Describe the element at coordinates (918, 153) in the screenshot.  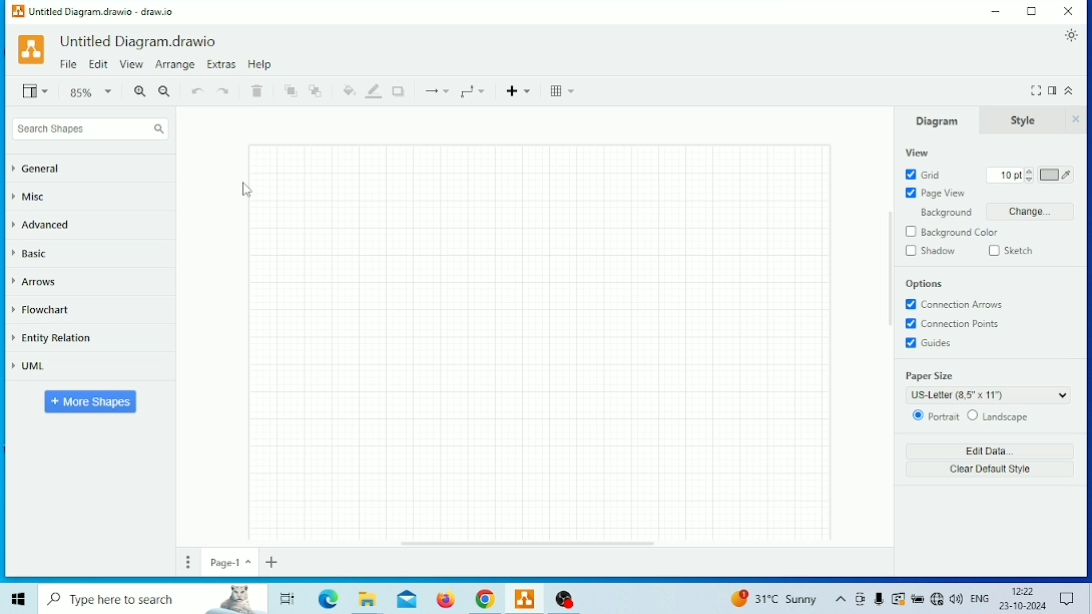
I see `View` at that location.